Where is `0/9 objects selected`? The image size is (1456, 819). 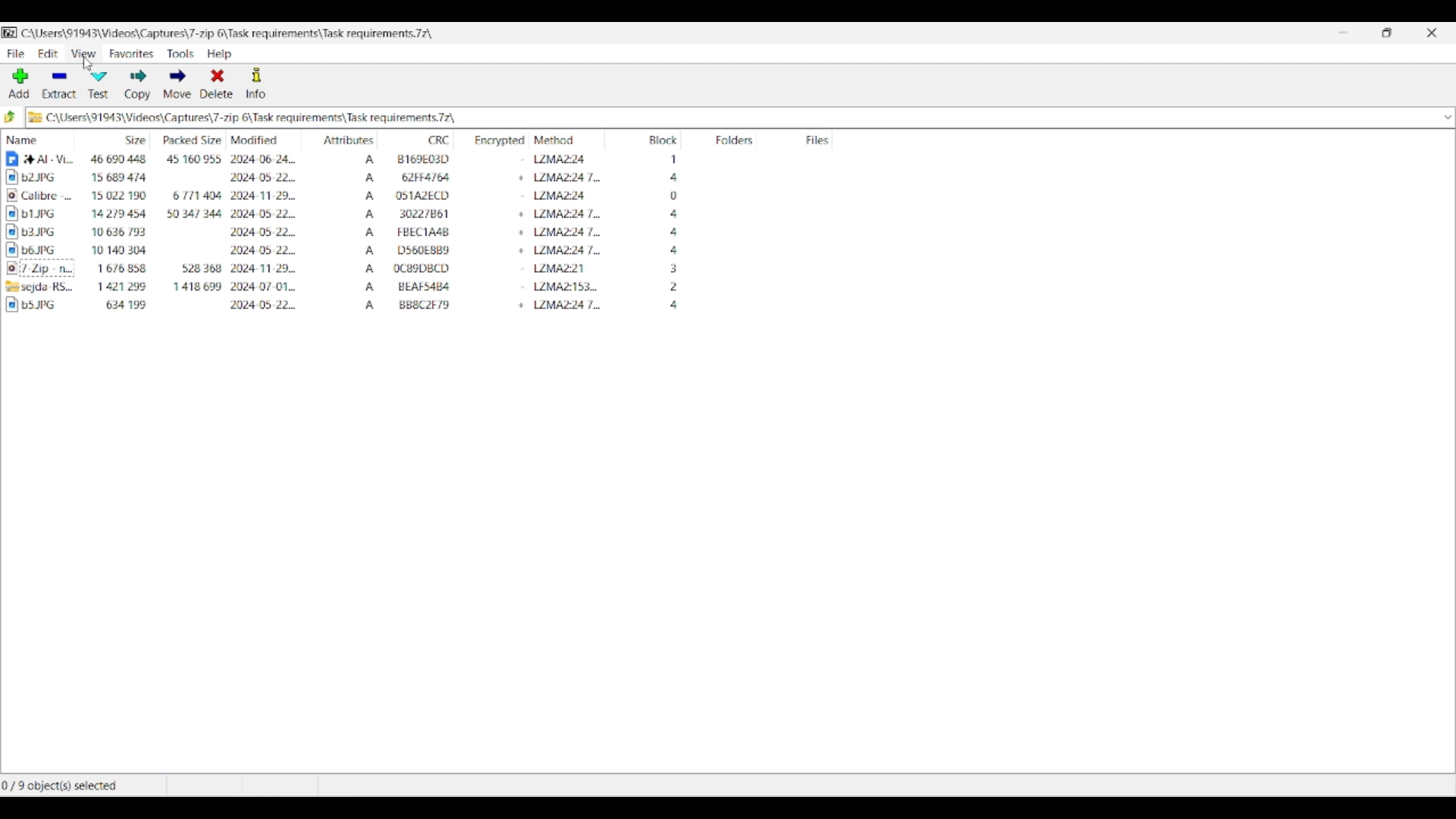 0/9 objects selected is located at coordinates (81, 786).